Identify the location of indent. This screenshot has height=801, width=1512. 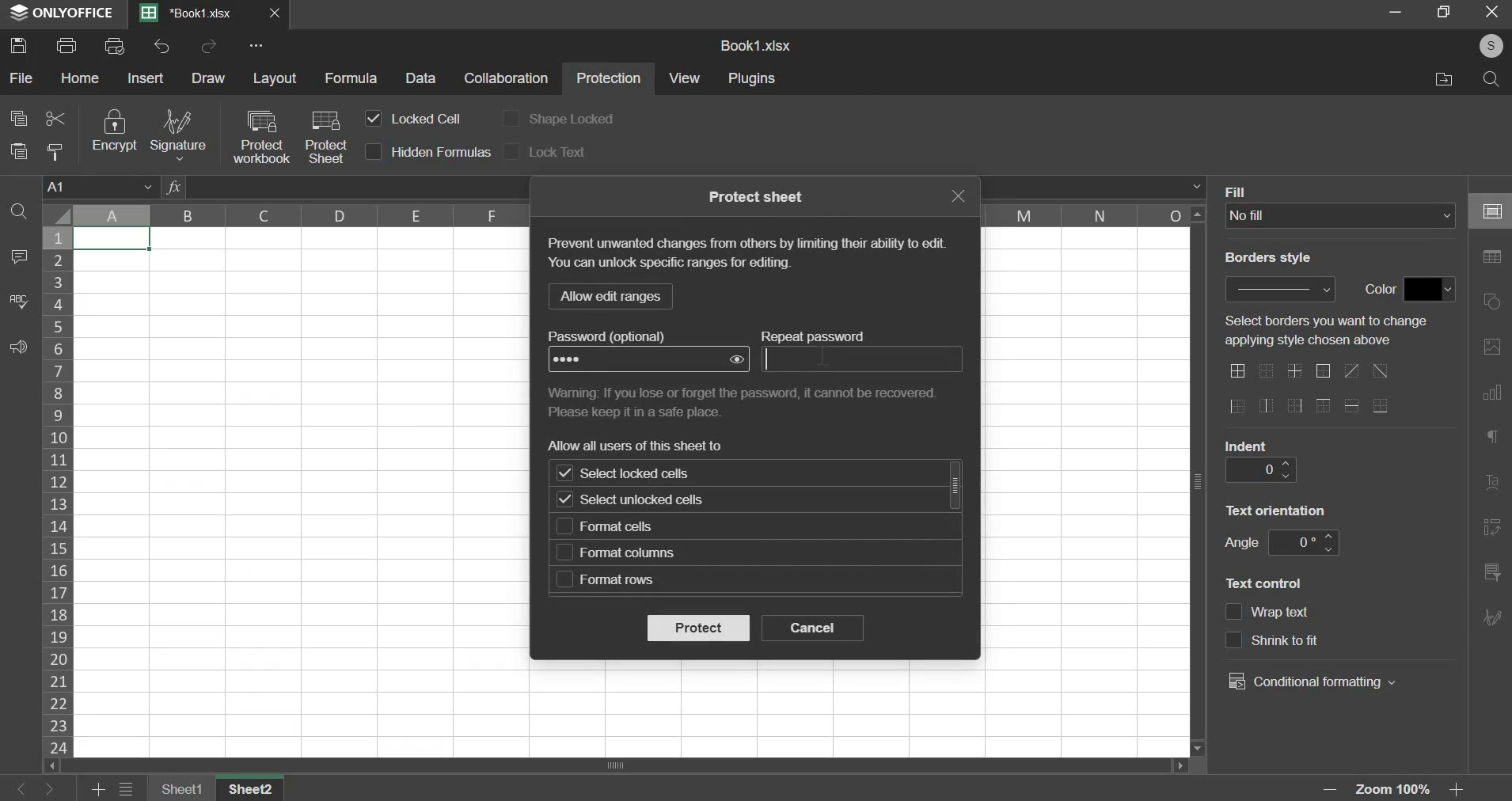
(1259, 469).